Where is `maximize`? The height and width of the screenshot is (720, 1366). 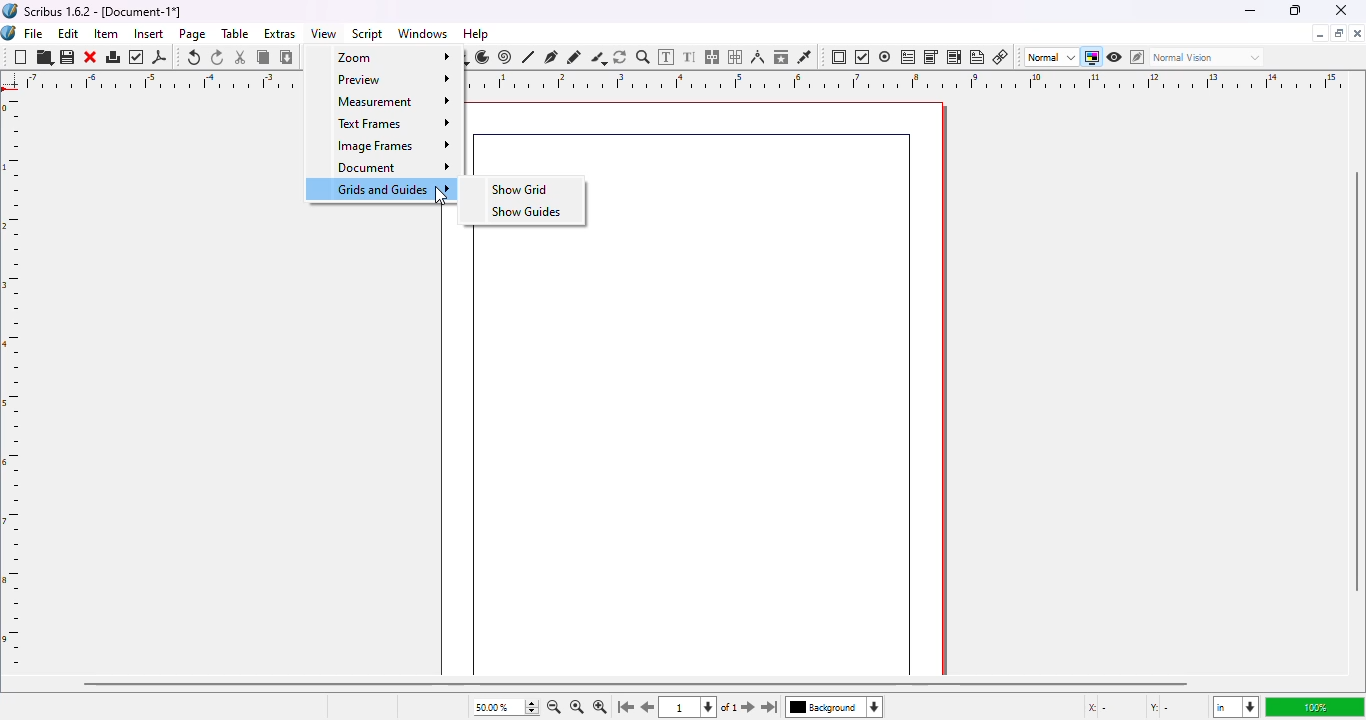 maximize is located at coordinates (1294, 10).